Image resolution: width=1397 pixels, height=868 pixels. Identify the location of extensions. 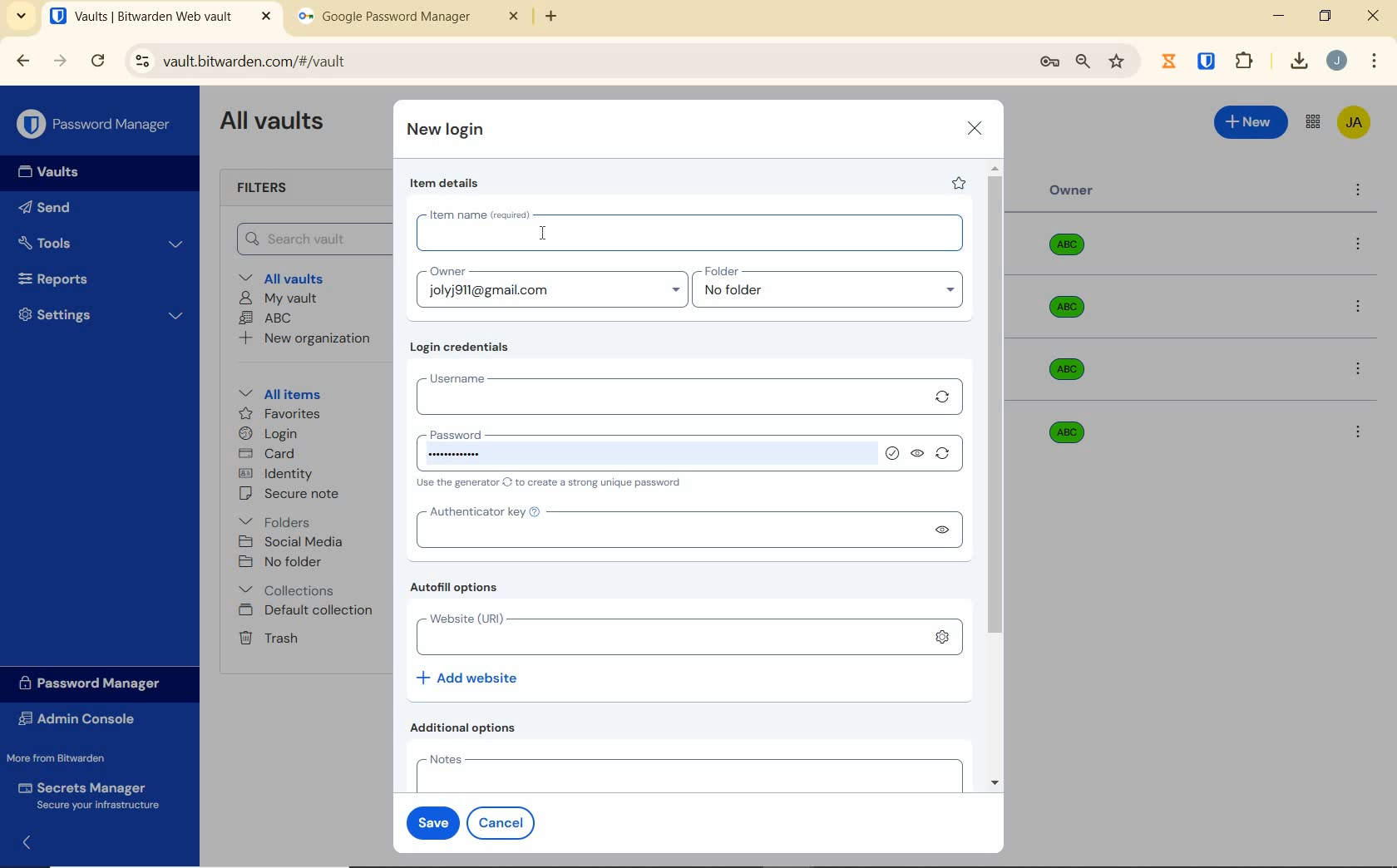
(1208, 60).